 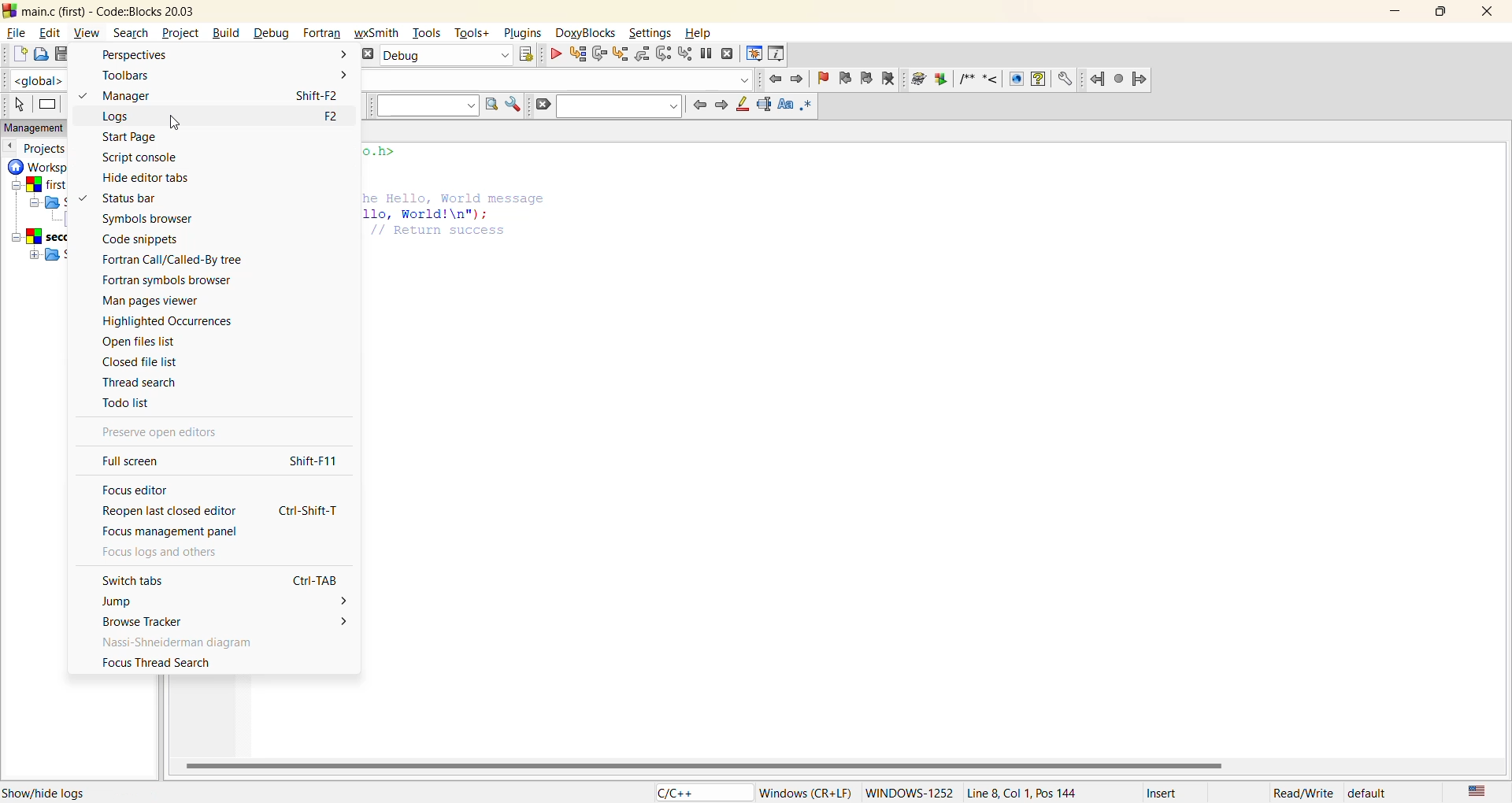 What do you see at coordinates (171, 510) in the screenshot?
I see `reopens last editor` at bounding box center [171, 510].